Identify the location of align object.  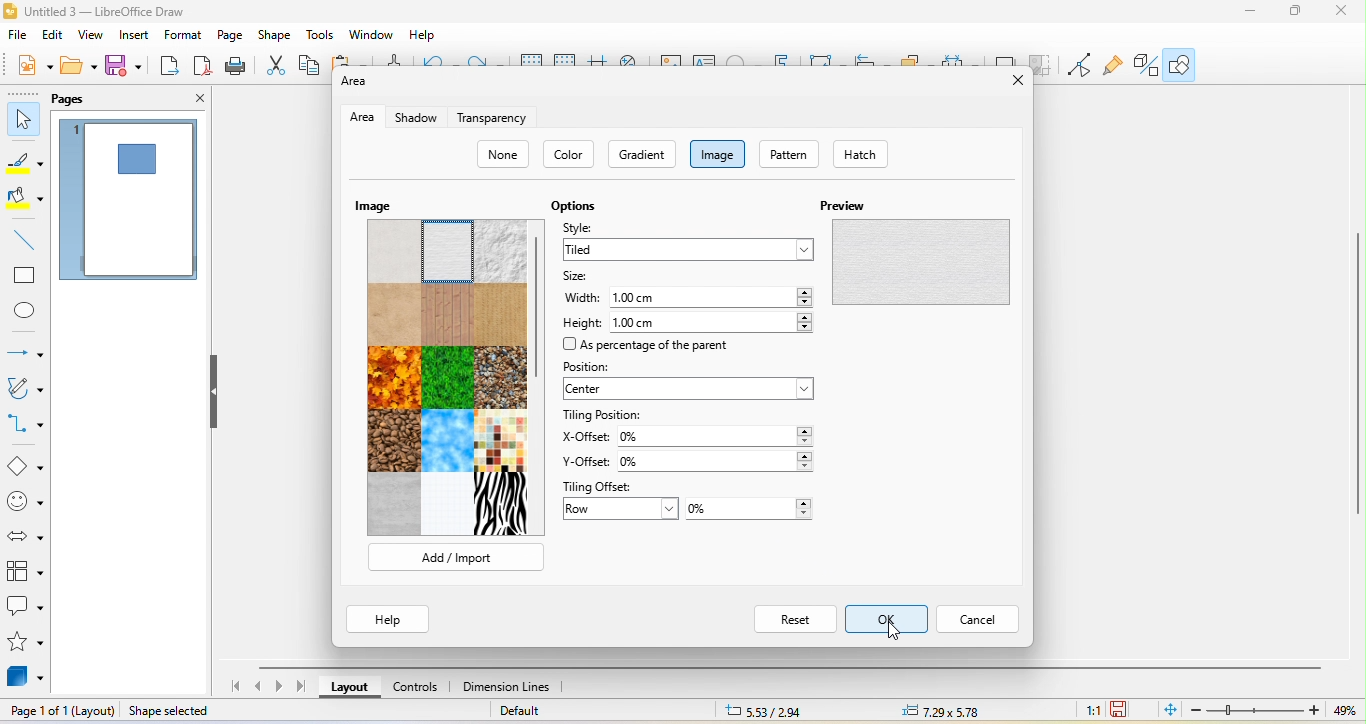
(874, 59).